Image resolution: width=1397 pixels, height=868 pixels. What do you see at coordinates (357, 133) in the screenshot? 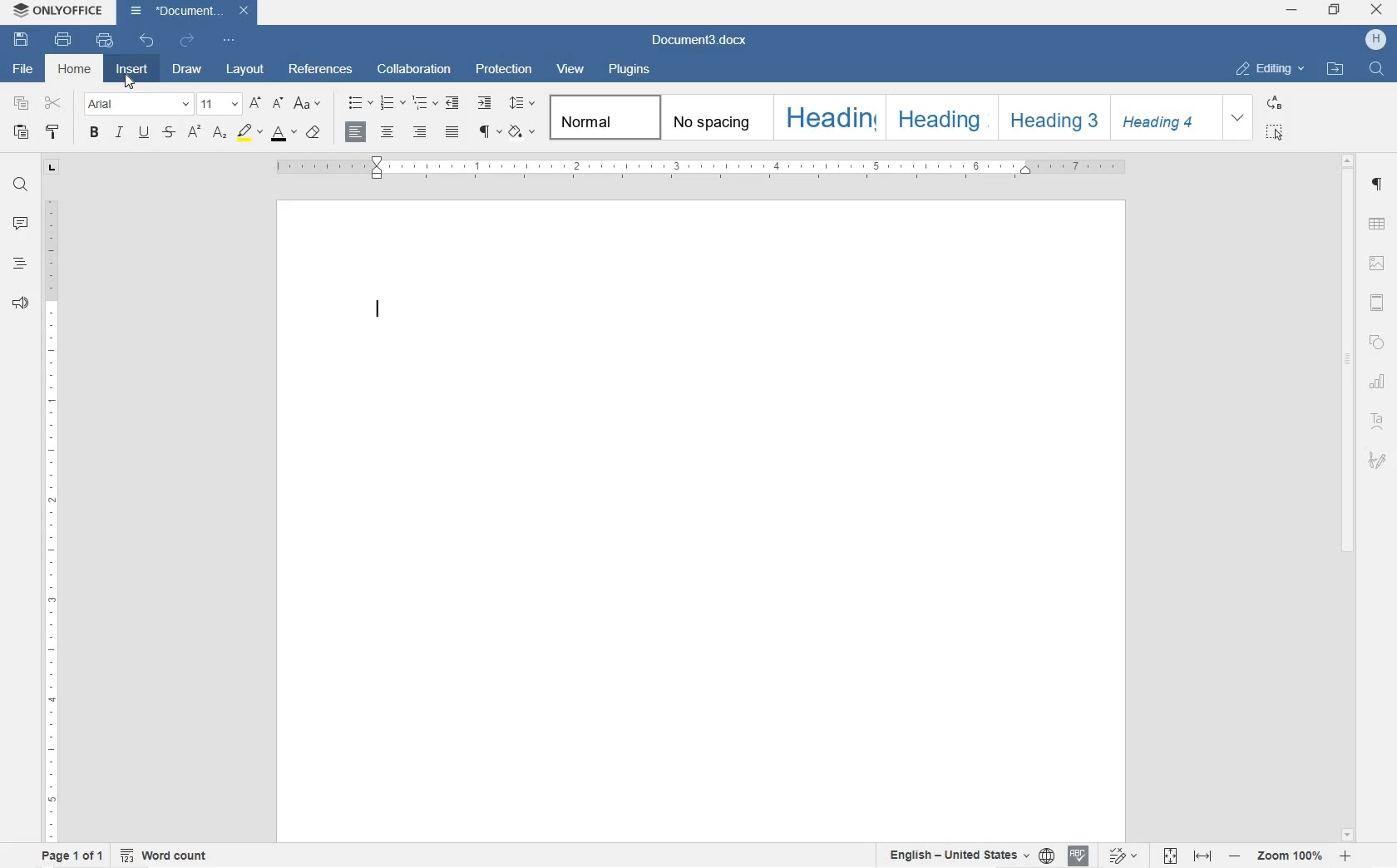
I see `LEFT ALIGNMENT` at bounding box center [357, 133].